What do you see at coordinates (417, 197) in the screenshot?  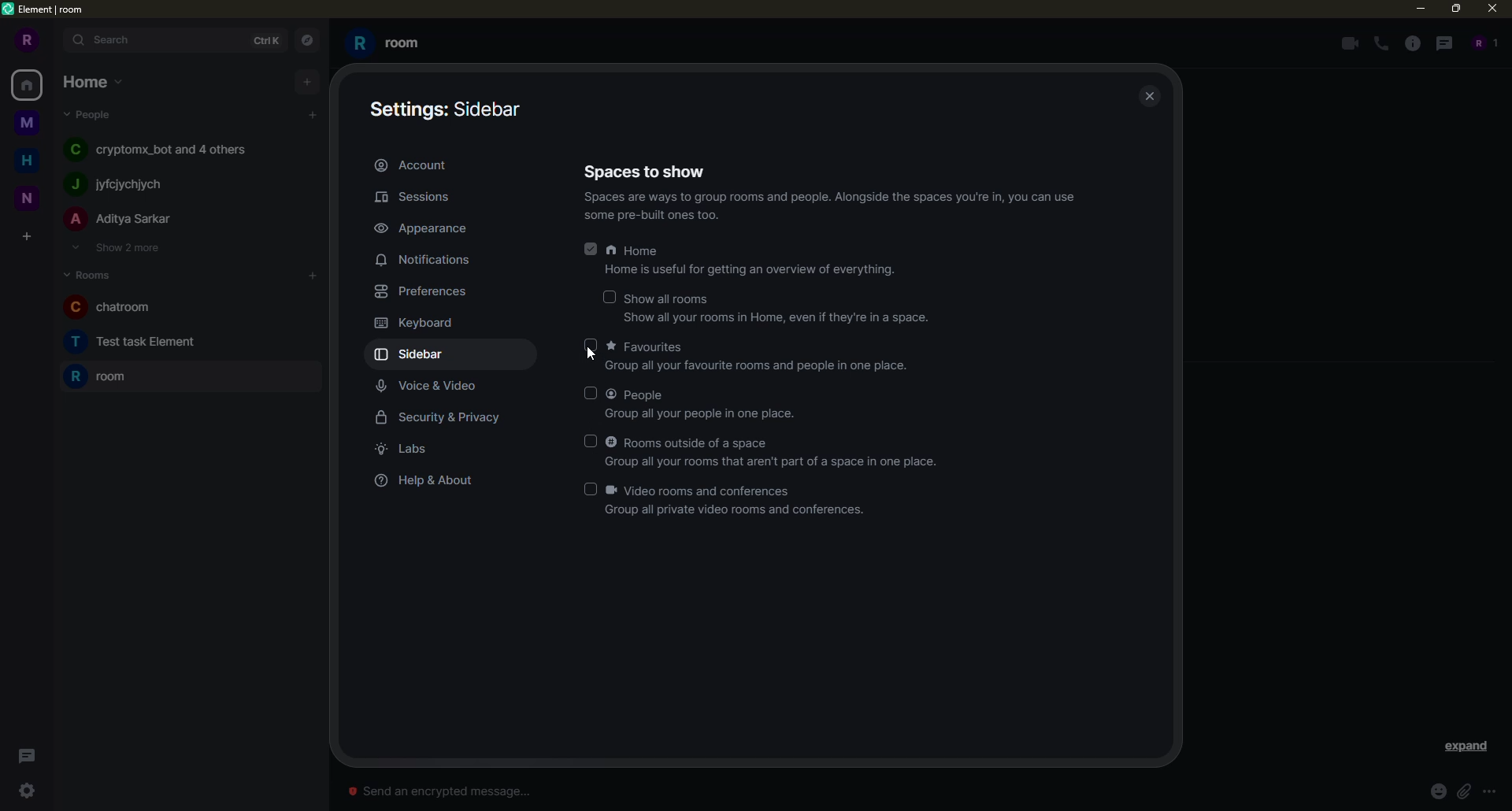 I see `sessions` at bounding box center [417, 197].